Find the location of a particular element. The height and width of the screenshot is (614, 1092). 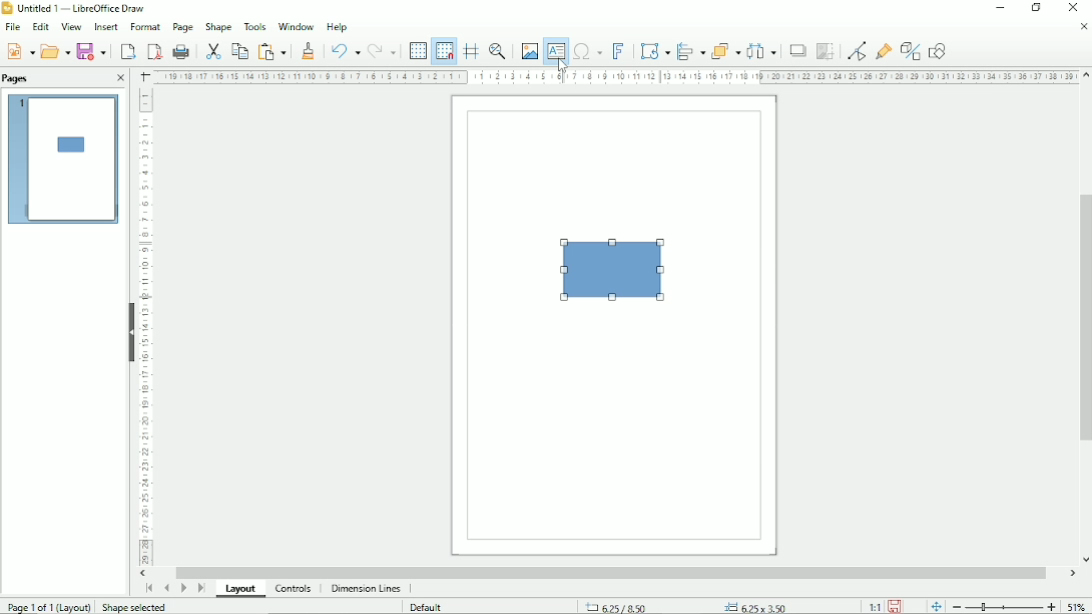

Scroll to last page is located at coordinates (201, 588).